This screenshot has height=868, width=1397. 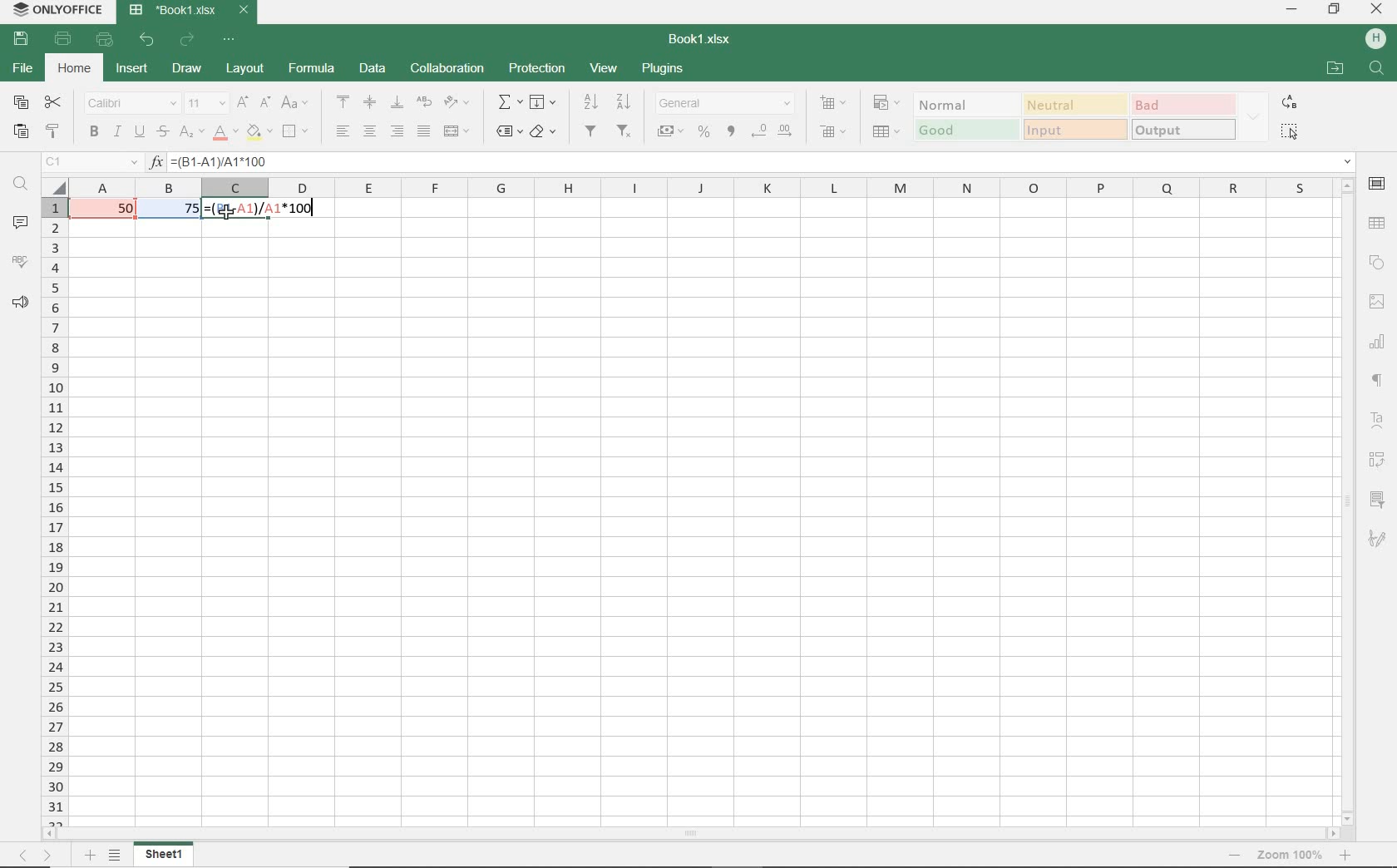 I want to click on paragraph settings, so click(x=1379, y=380).